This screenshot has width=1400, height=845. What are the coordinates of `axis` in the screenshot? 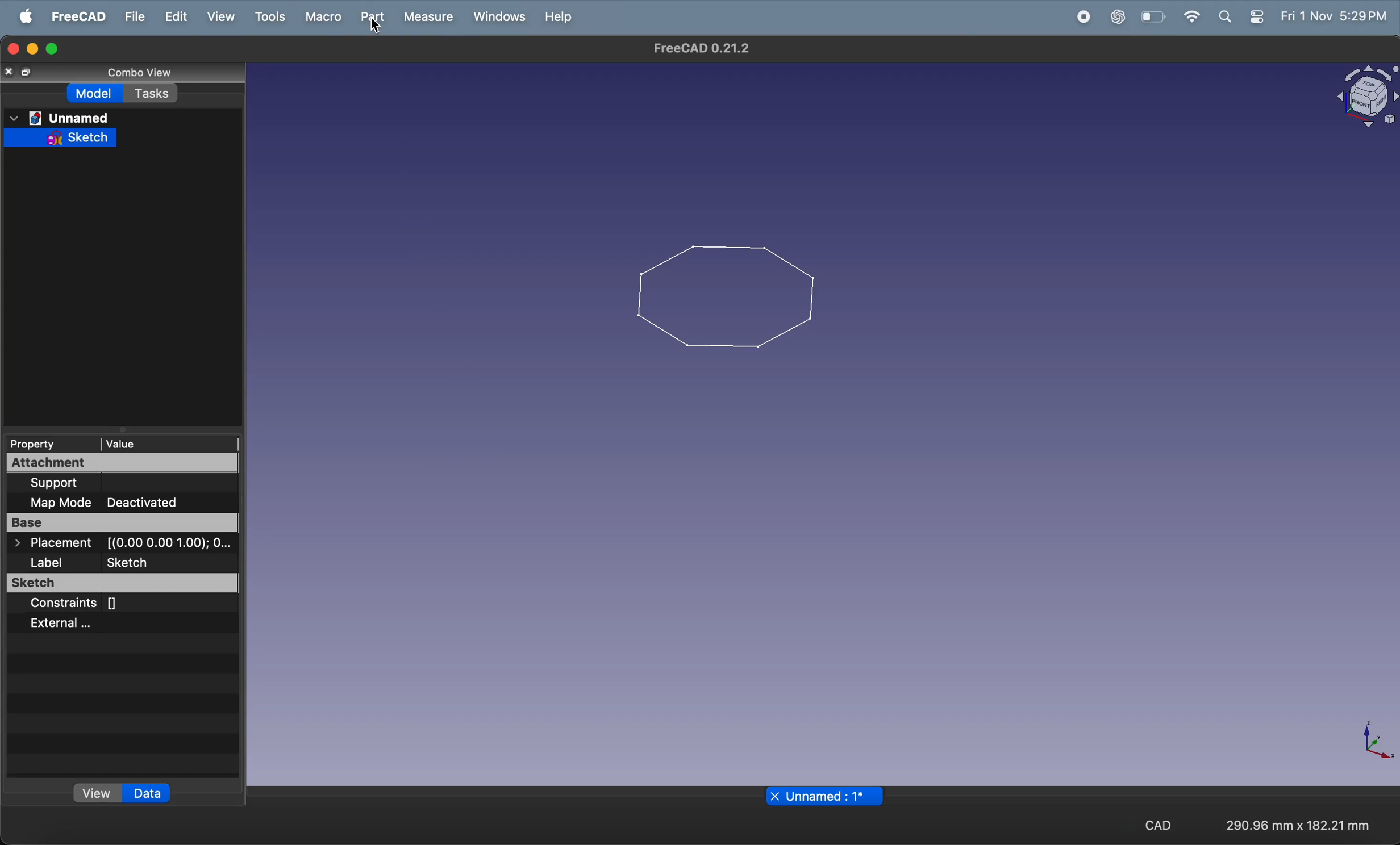 It's located at (1370, 746).